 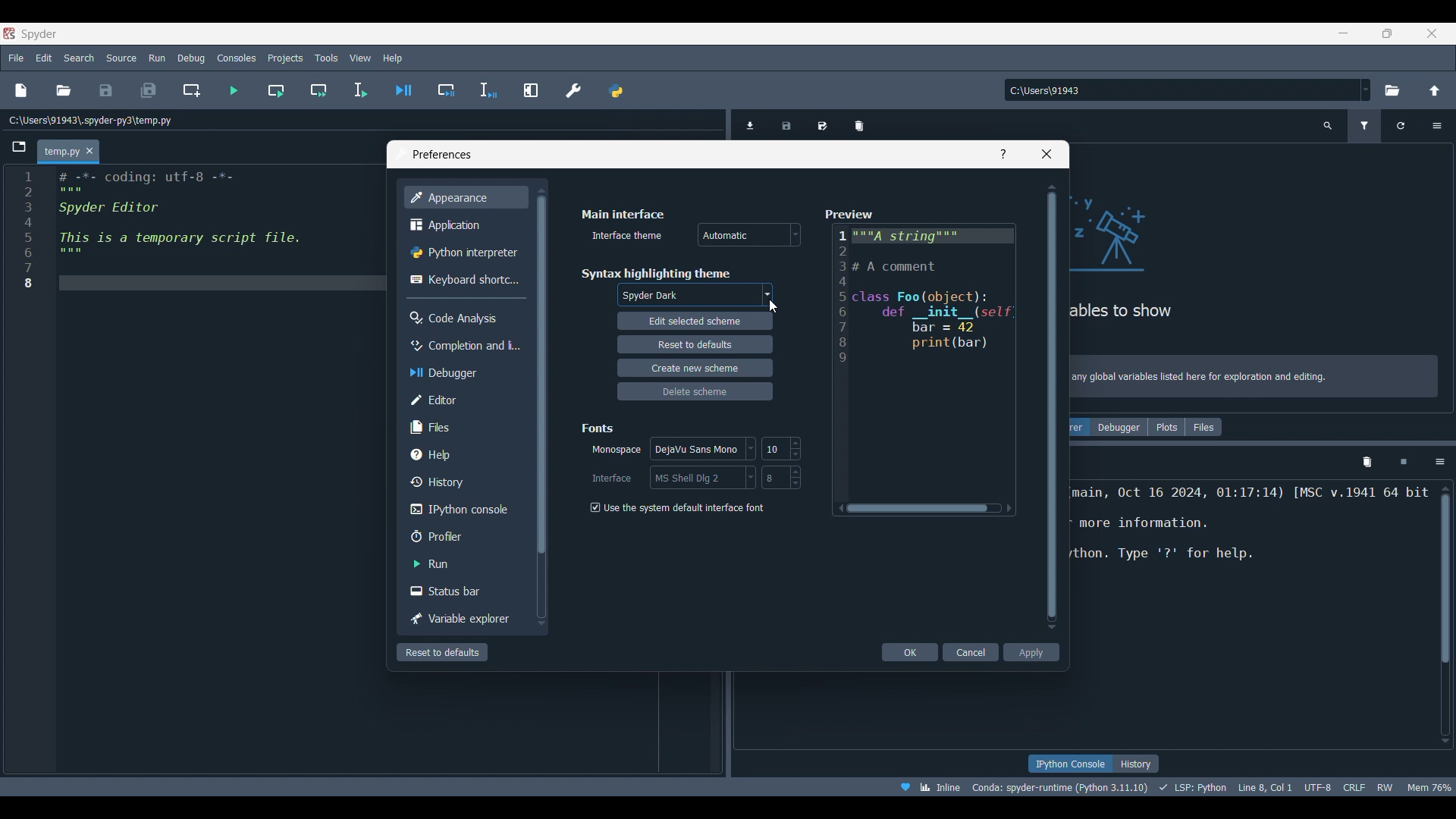 What do you see at coordinates (695, 369) in the screenshot?
I see `create new scheme` at bounding box center [695, 369].